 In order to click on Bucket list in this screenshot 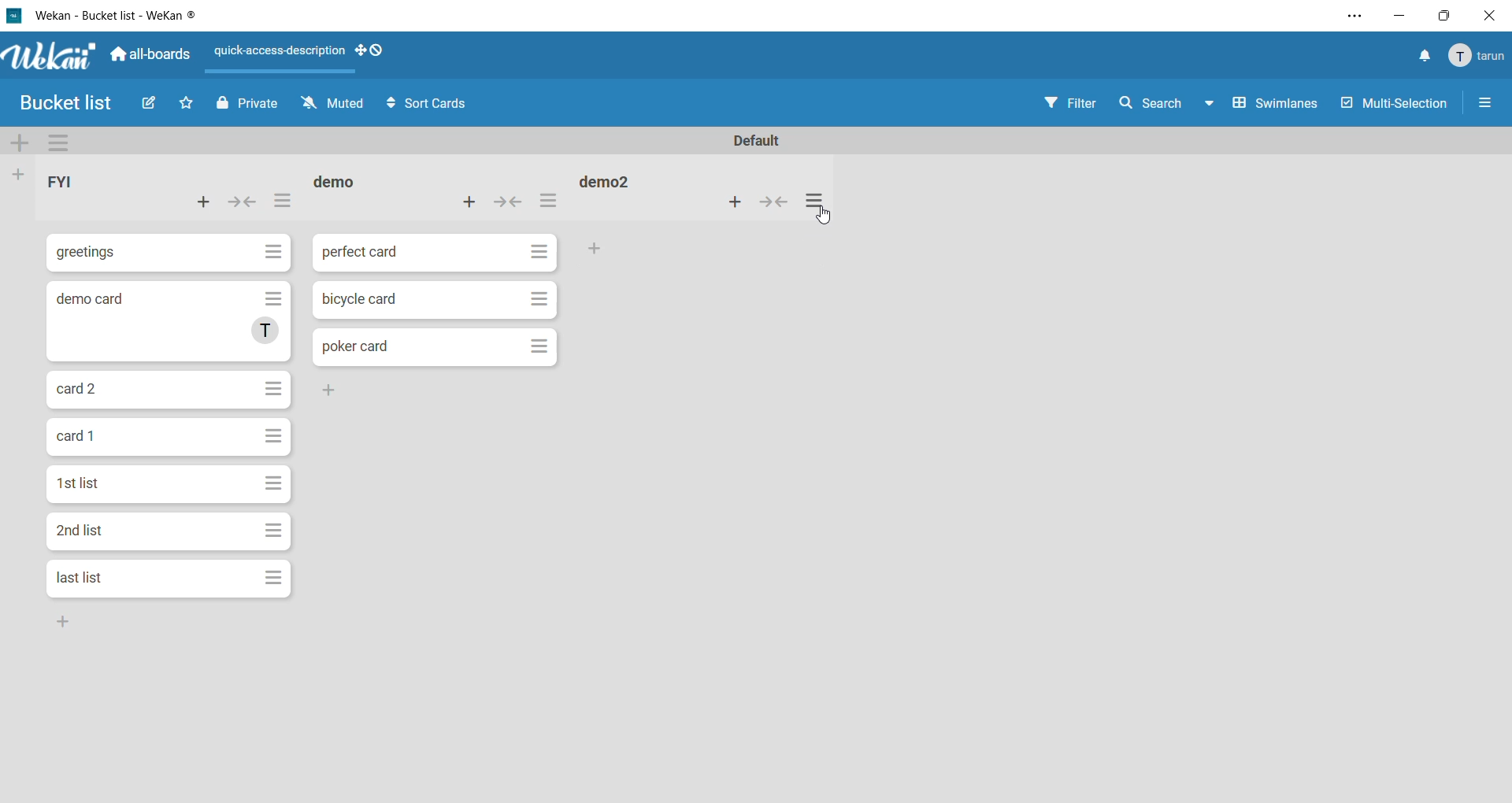, I will do `click(66, 103)`.